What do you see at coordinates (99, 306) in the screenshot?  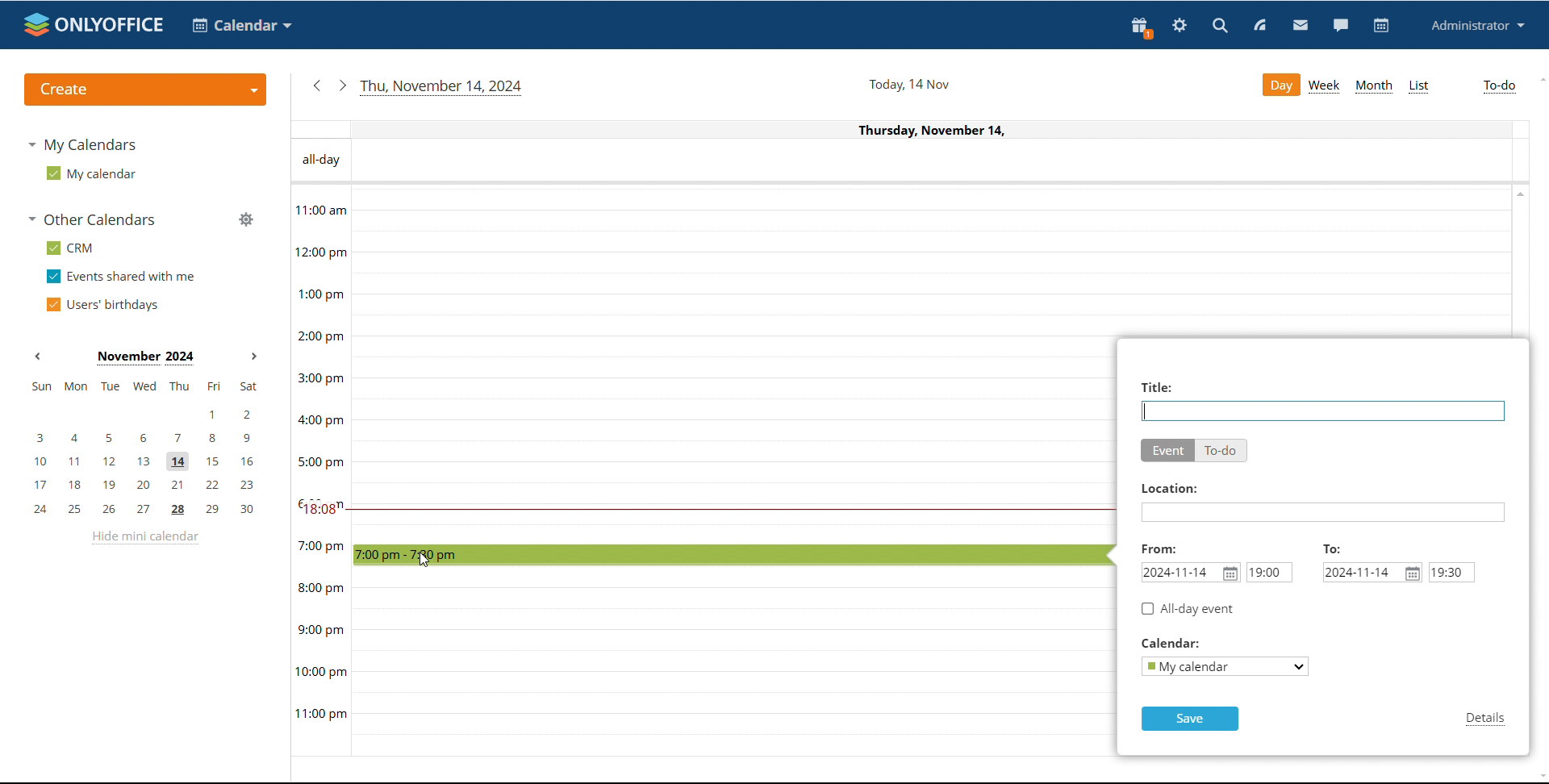 I see `users' birthdays` at bounding box center [99, 306].